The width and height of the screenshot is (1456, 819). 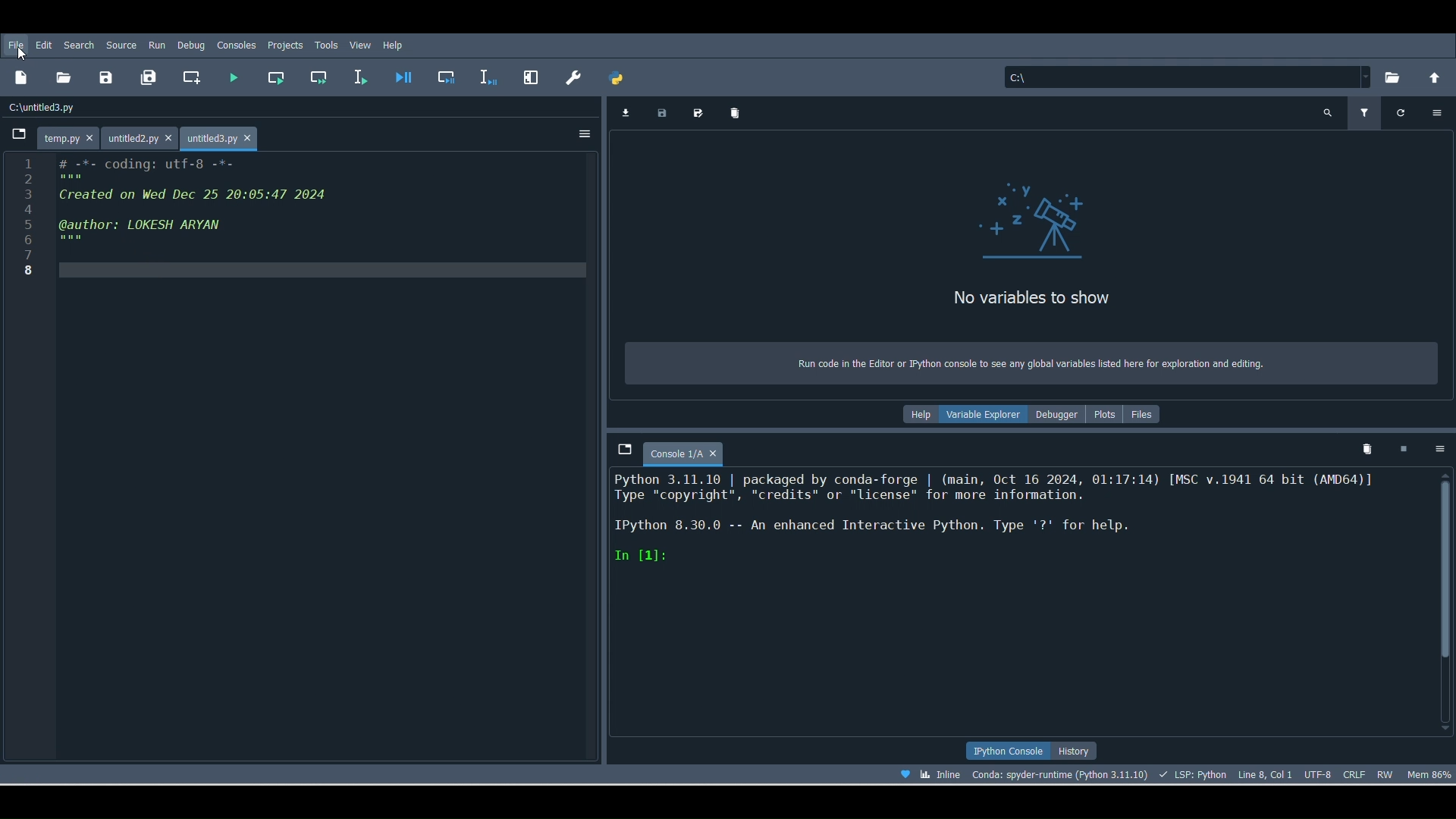 I want to click on Preferences, so click(x=529, y=76).